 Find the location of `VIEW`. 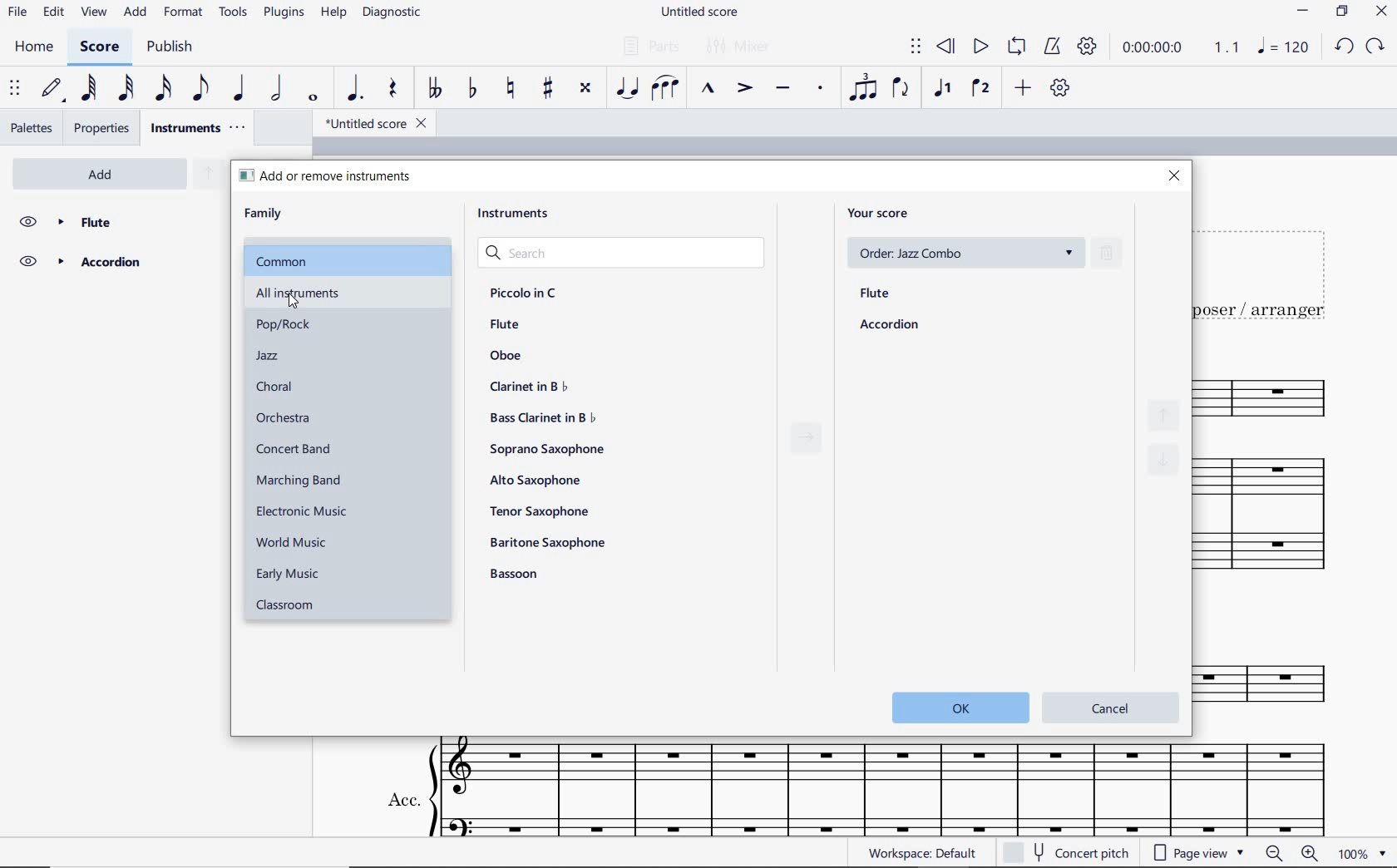

VIEW is located at coordinates (95, 12).